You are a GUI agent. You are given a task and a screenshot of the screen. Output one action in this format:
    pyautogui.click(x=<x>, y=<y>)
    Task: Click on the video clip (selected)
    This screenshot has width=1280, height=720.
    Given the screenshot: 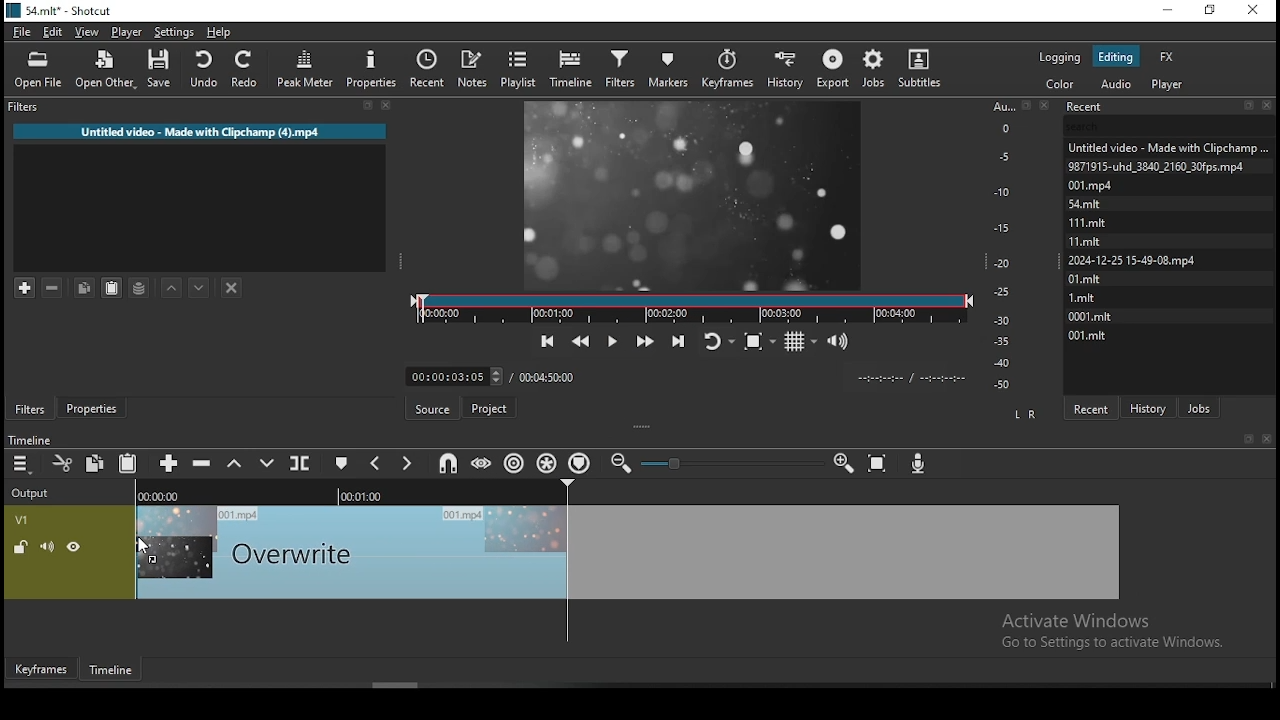 What is the action you would take?
    pyautogui.click(x=627, y=552)
    